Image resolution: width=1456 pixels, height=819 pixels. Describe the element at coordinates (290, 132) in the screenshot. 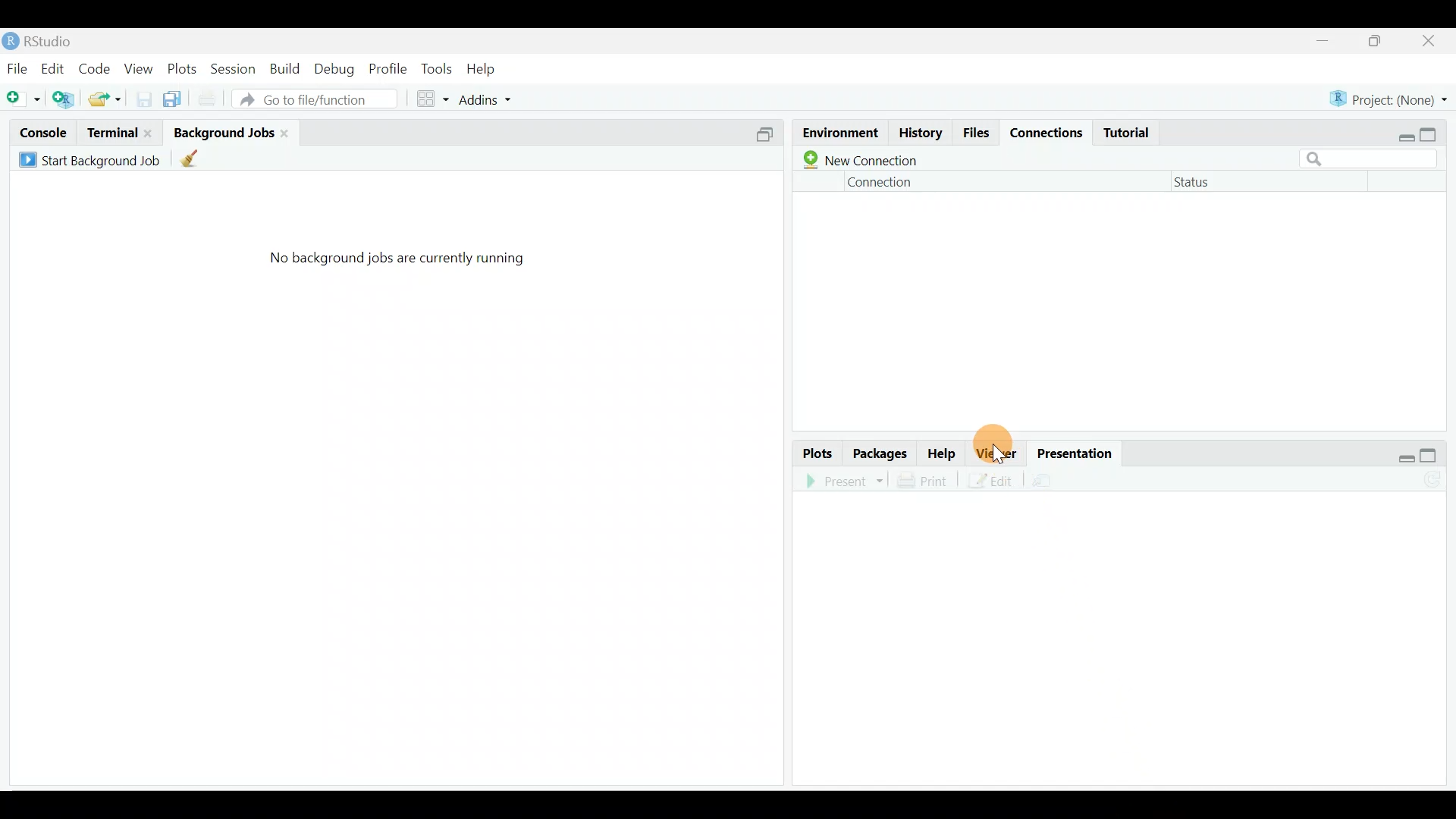

I see `close background job` at that location.